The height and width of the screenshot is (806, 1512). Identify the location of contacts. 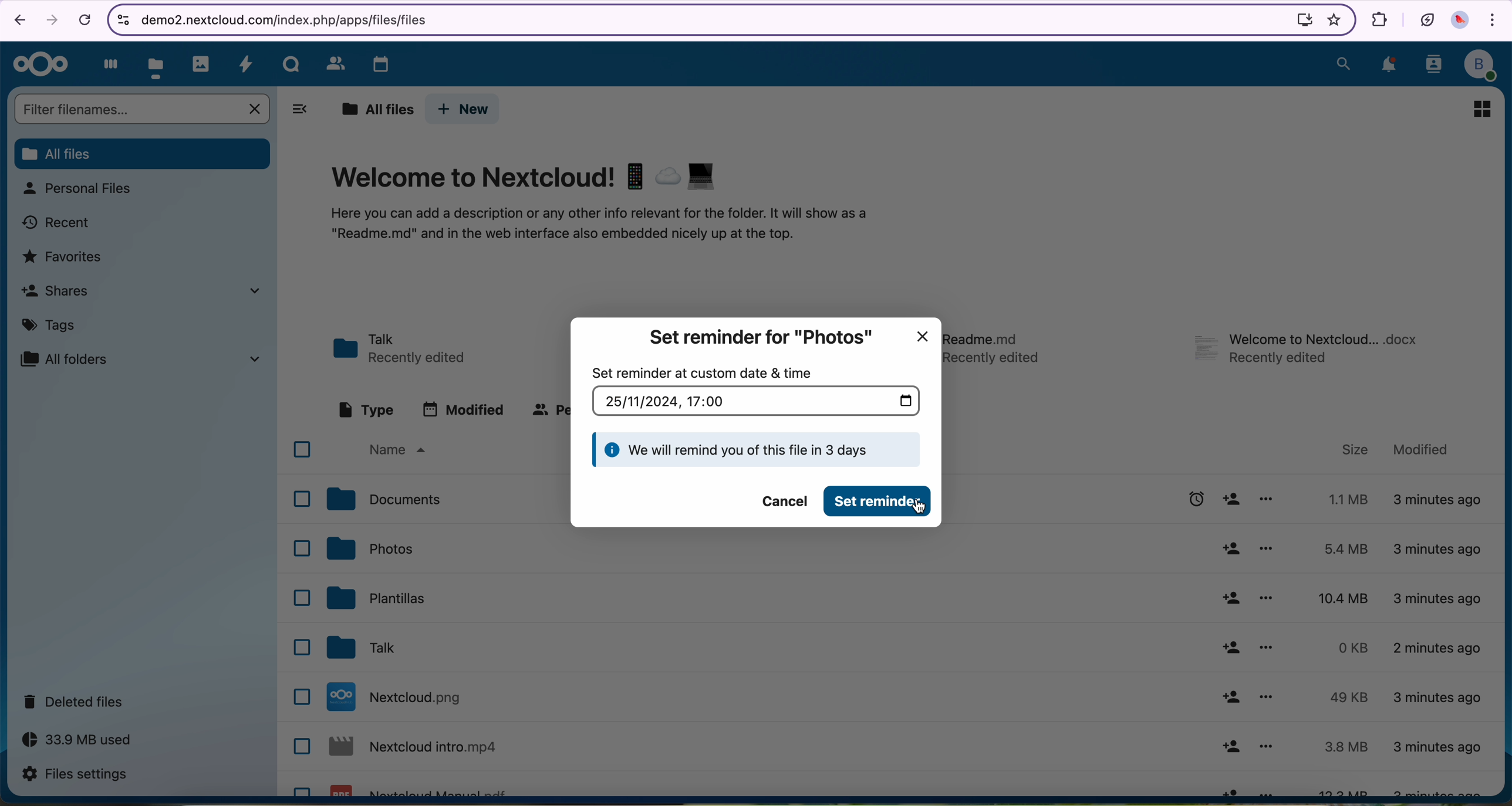
(332, 63).